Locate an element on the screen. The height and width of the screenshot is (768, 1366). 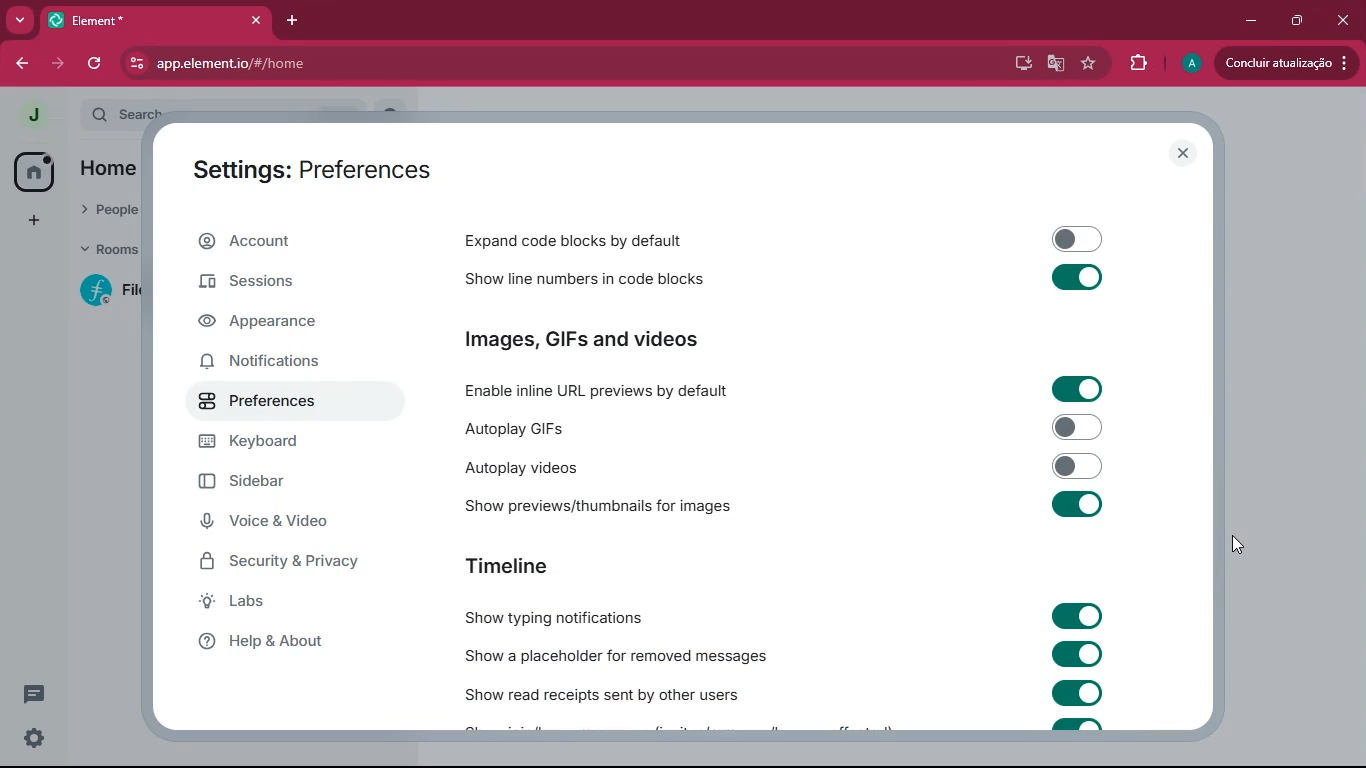
close is located at coordinates (1346, 19).